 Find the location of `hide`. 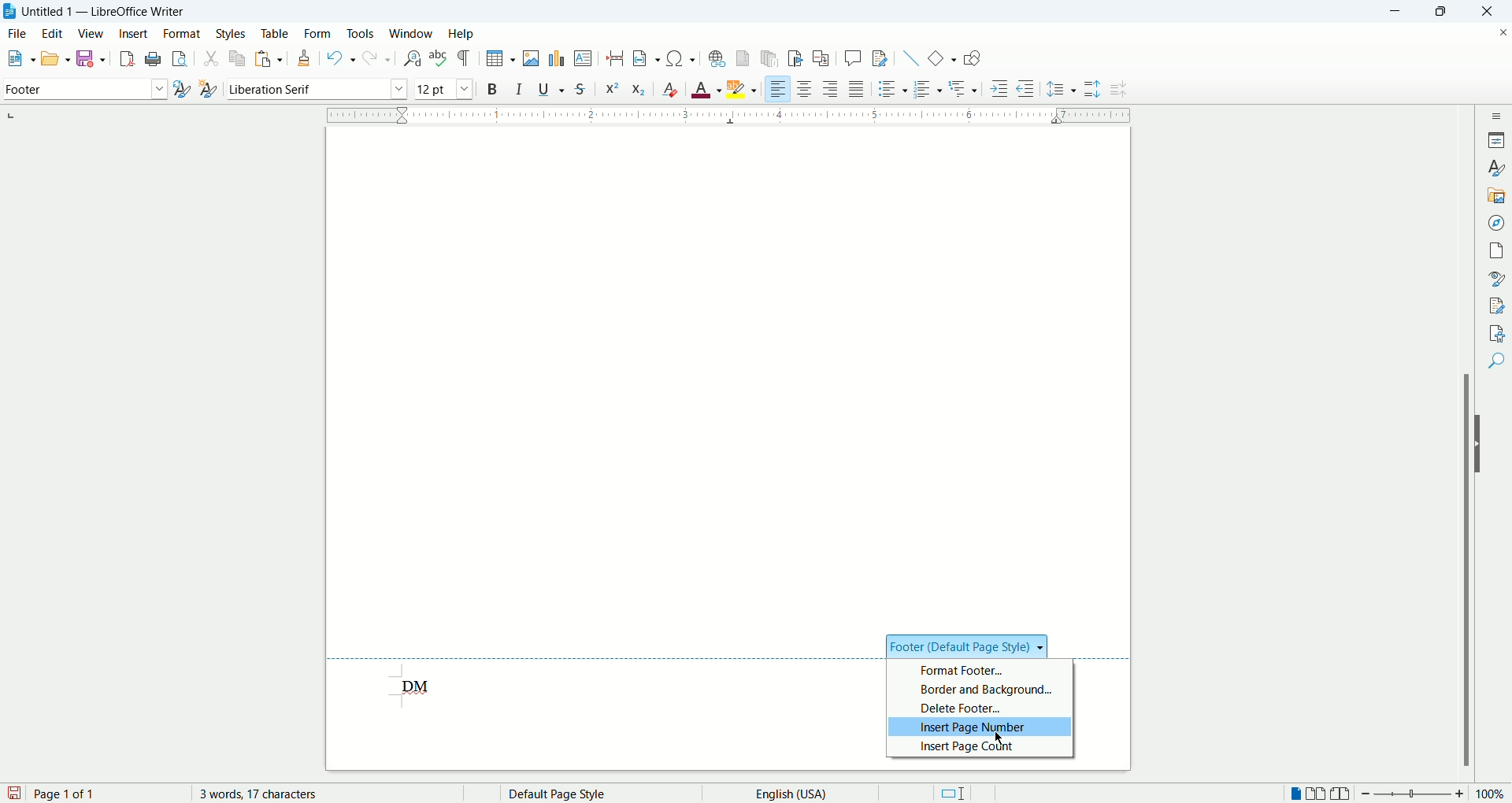

hide is located at coordinates (1482, 444).